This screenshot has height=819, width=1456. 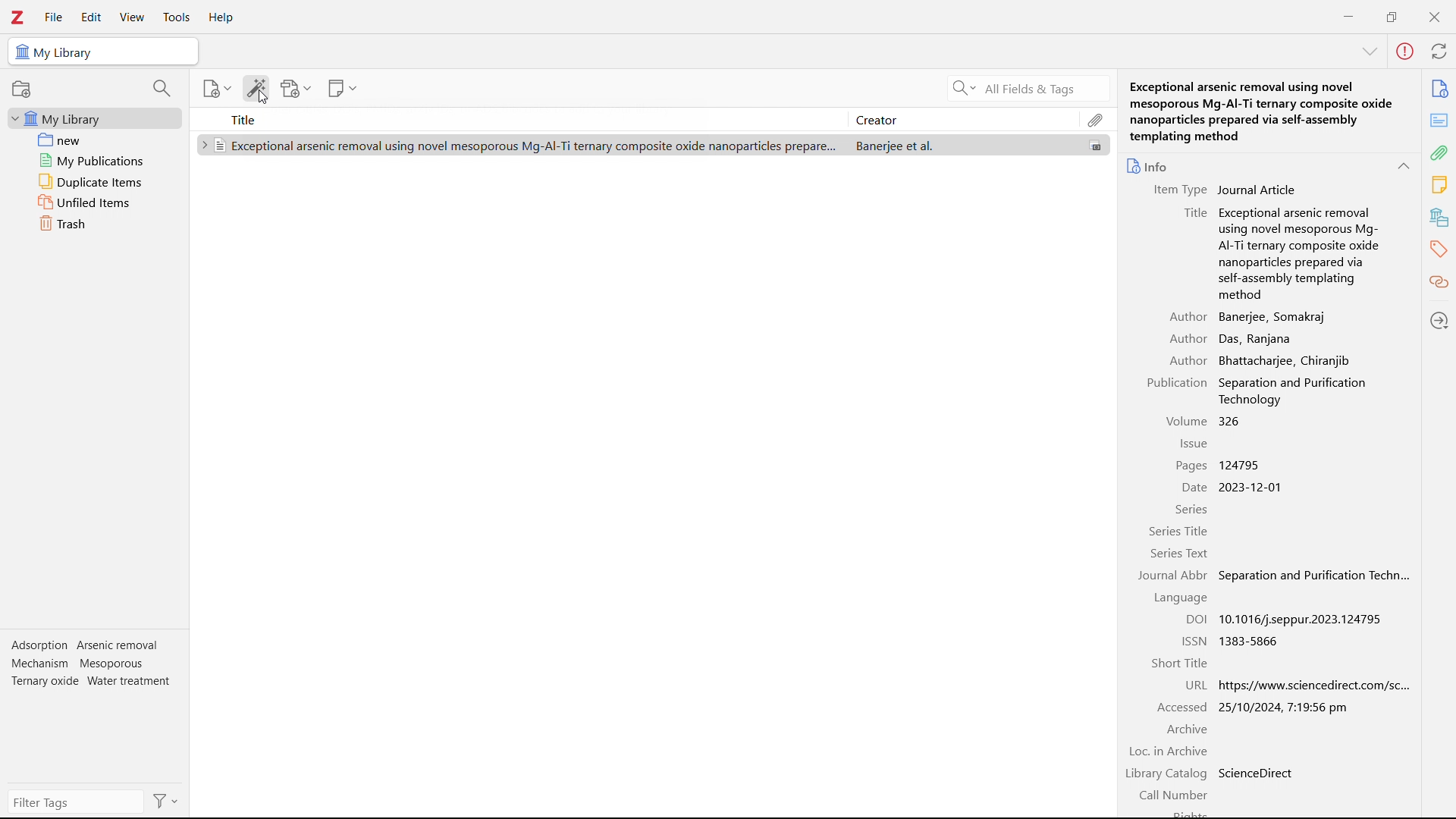 What do you see at coordinates (264, 97) in the screenshot?
I see `cursor` at bounding box center [264, 97].